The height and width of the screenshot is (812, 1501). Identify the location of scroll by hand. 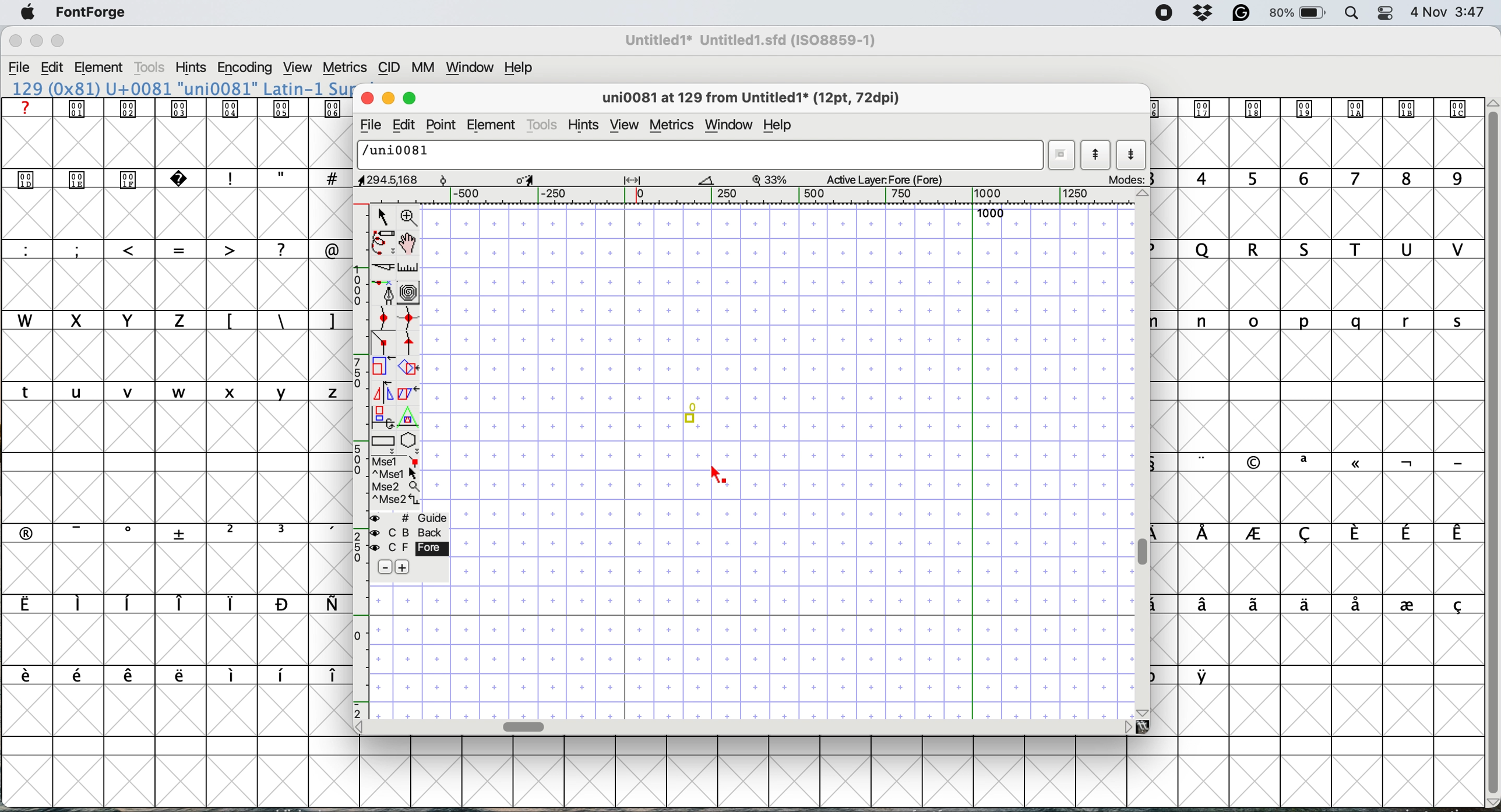
(407, 242).